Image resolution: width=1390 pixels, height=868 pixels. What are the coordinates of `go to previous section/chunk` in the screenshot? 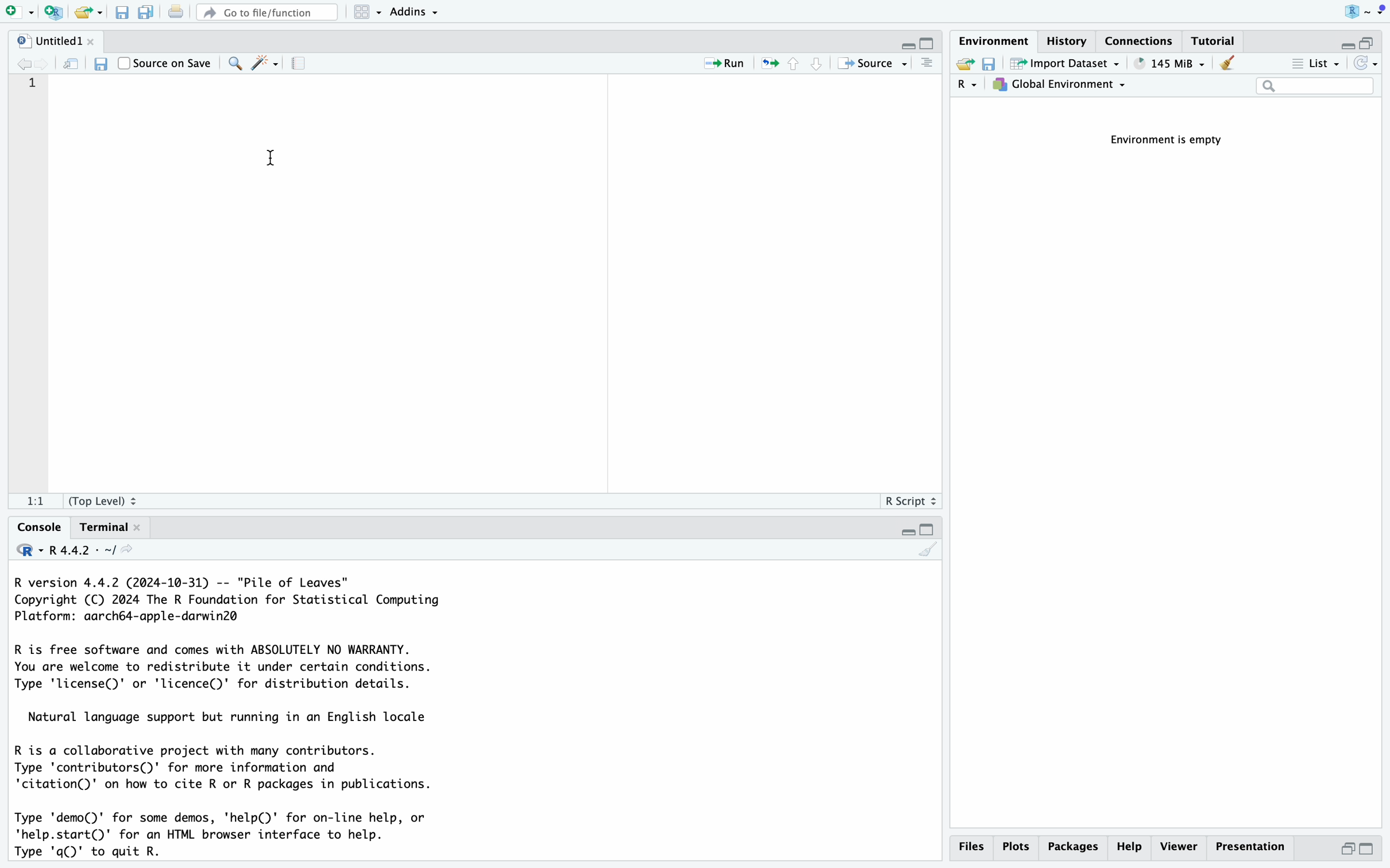 It's located at (793, 68).